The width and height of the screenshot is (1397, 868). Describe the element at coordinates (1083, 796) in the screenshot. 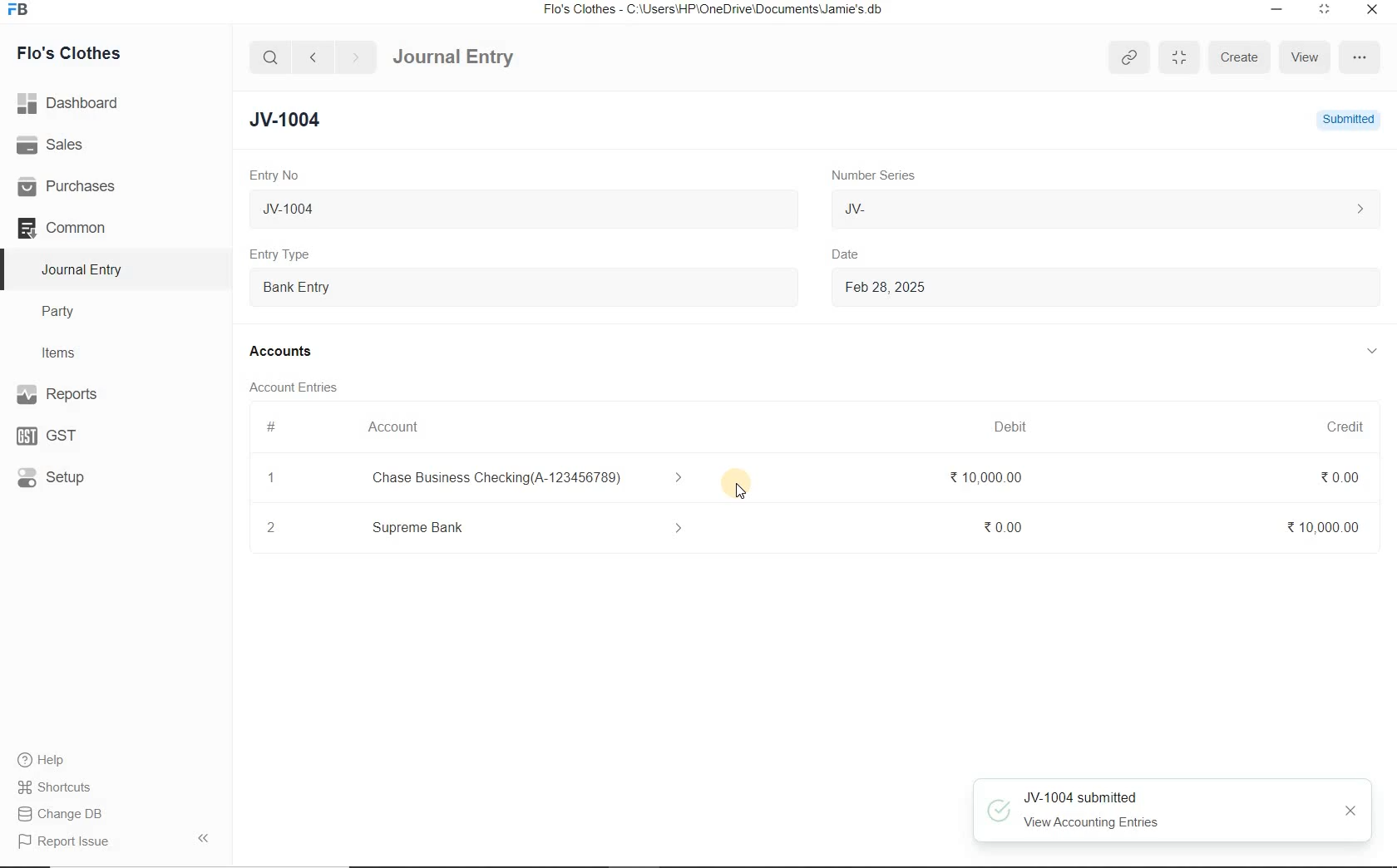

I see `JV-1004 submitted` at that location.